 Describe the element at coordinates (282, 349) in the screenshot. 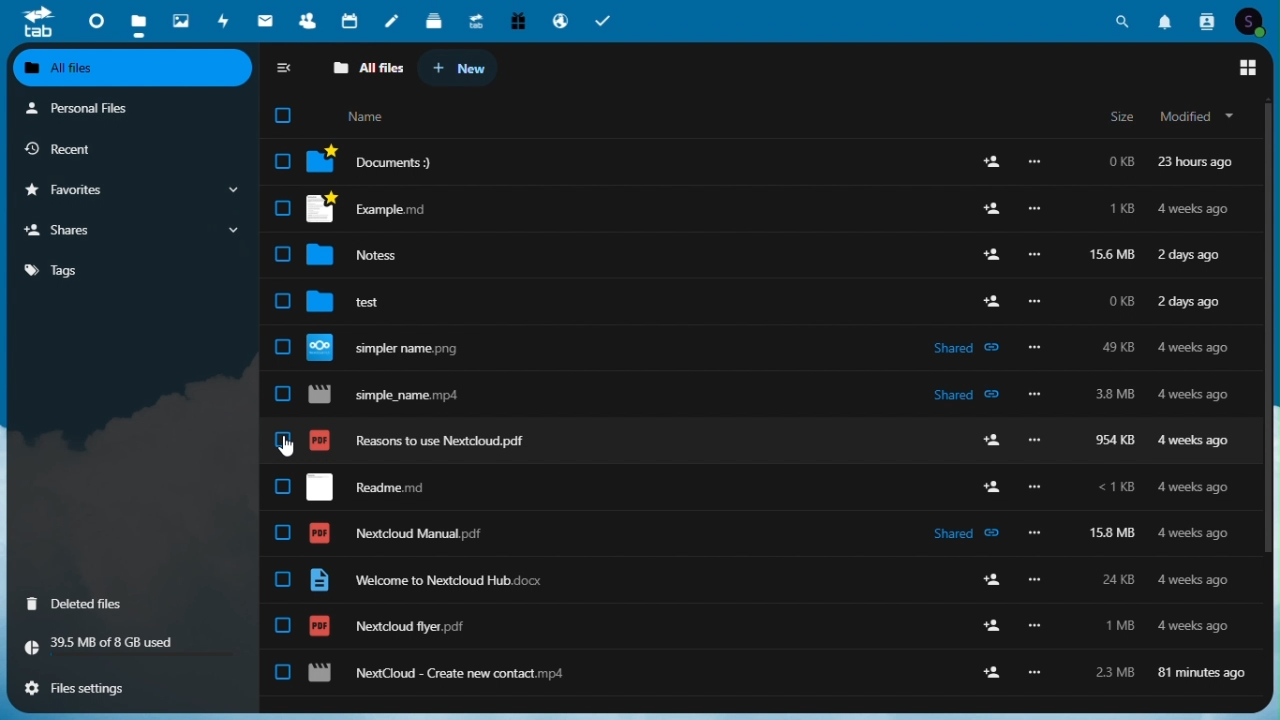

I see `checkbox` at that location.